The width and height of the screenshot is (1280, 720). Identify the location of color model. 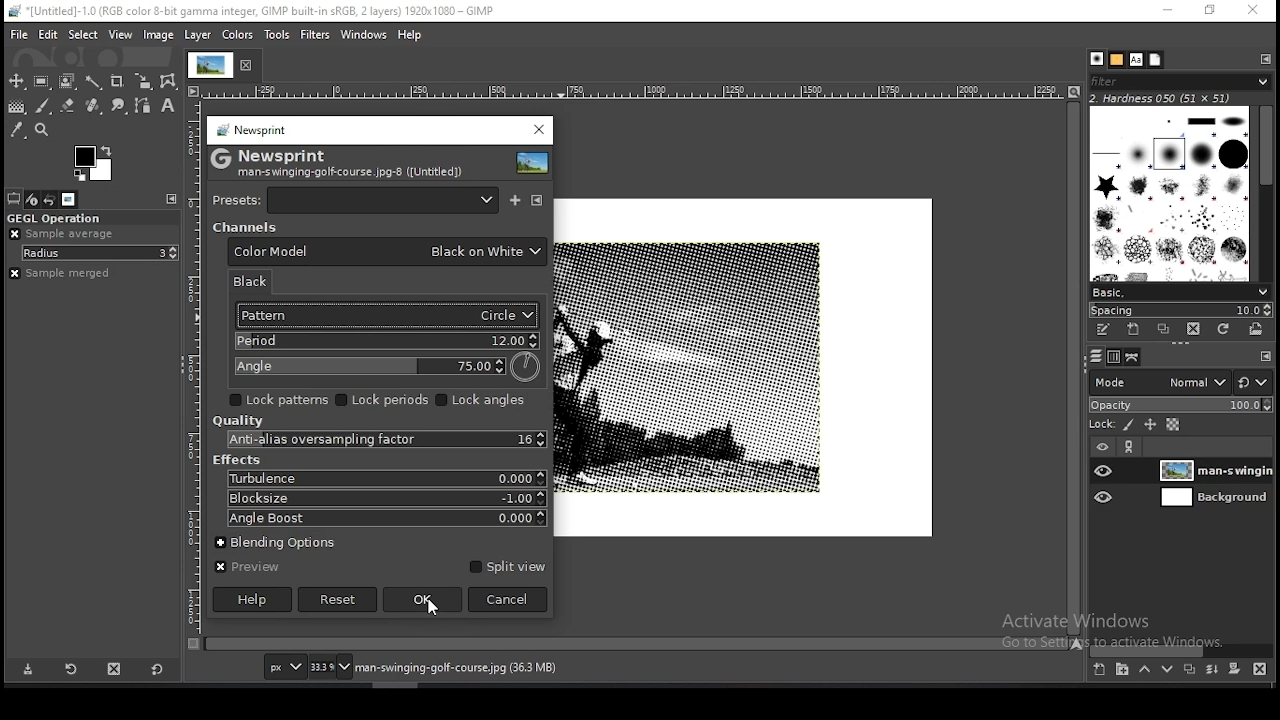
(387, 252).